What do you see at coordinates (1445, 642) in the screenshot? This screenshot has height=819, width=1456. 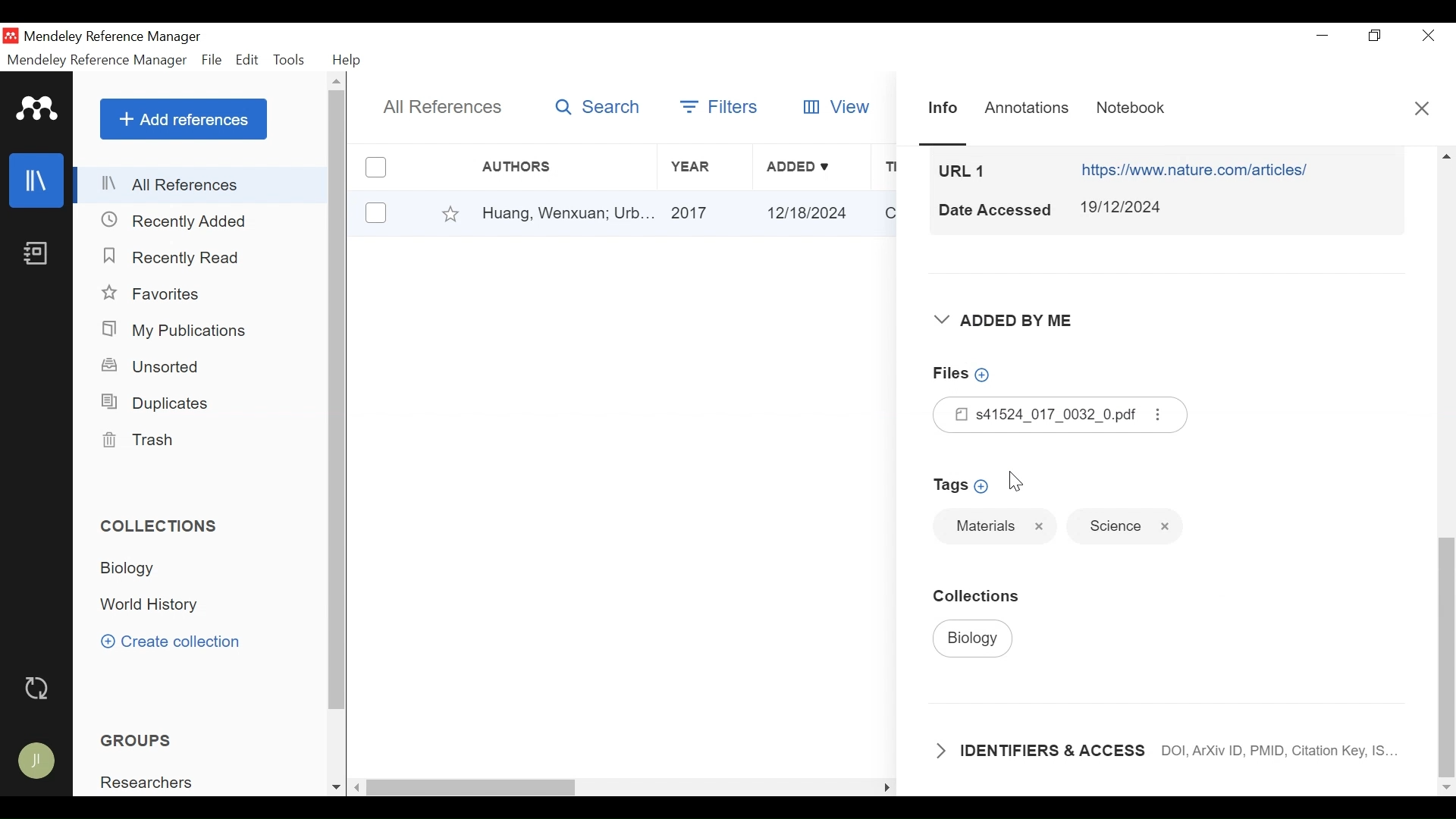 I see `Vertical Scroll bar` at bounding box center [1445, 642].